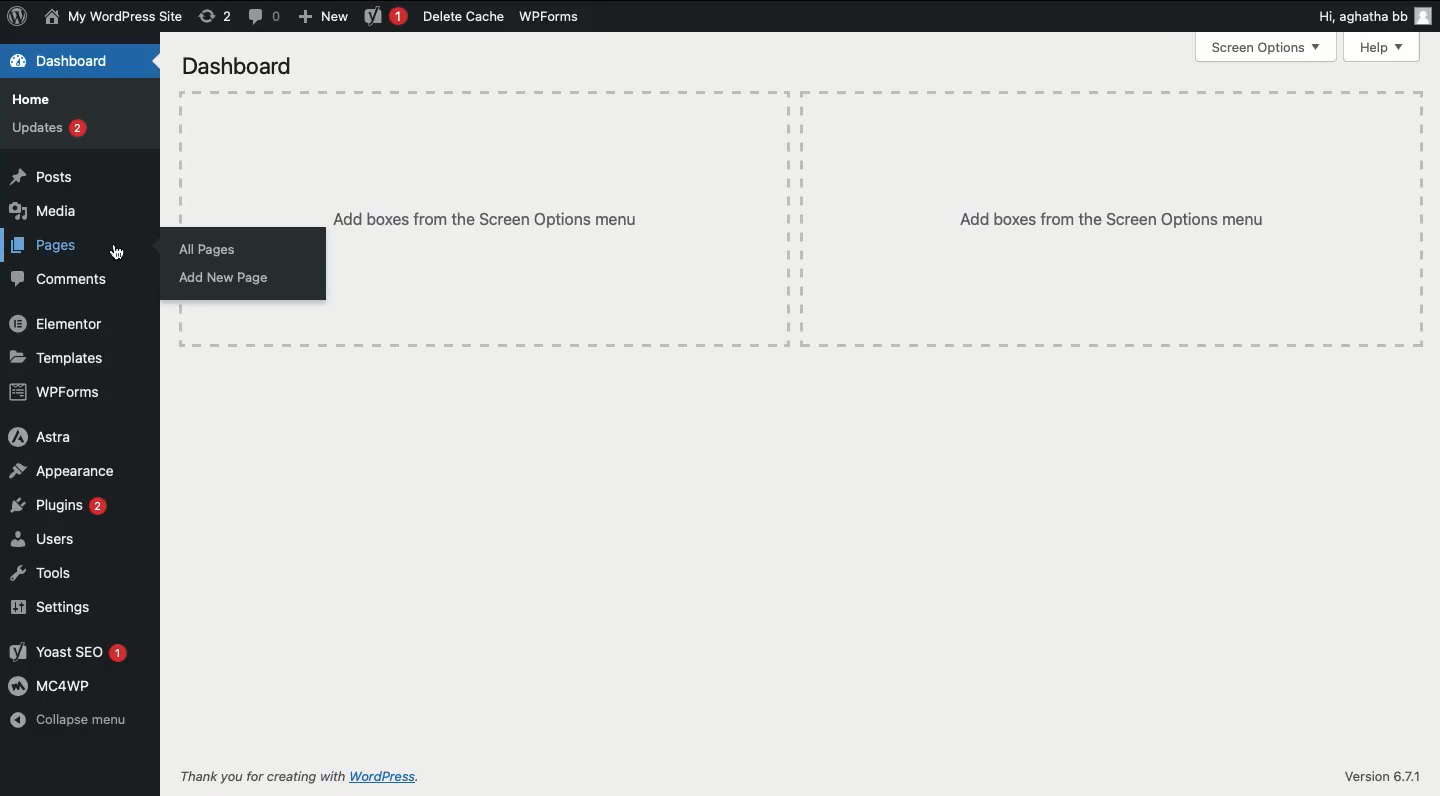 Image resolution: width=1440 pixels, height=796 pixels. What do you see at coordinates (220, 276) in the screenshot?
I see `Add new page` at bounding box center [220, 276].